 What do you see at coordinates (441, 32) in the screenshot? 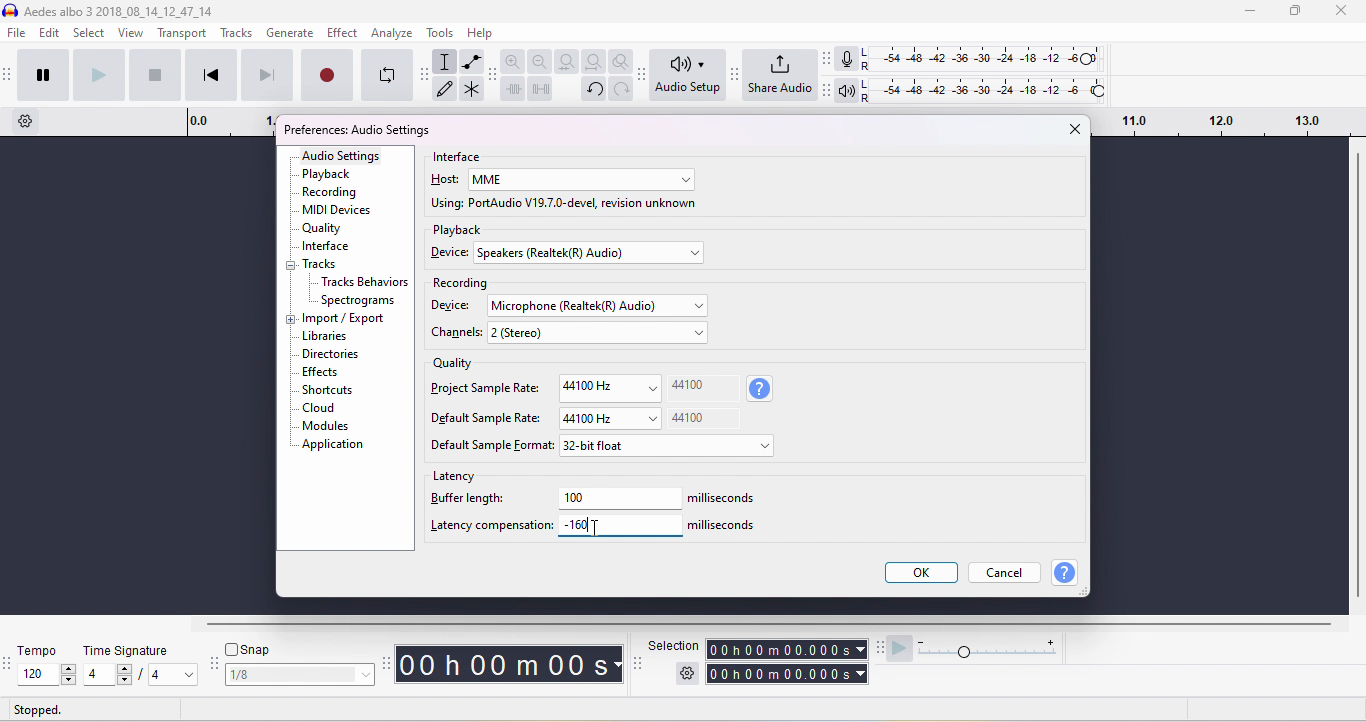
I see `tools` at bounding box center [441, 32].